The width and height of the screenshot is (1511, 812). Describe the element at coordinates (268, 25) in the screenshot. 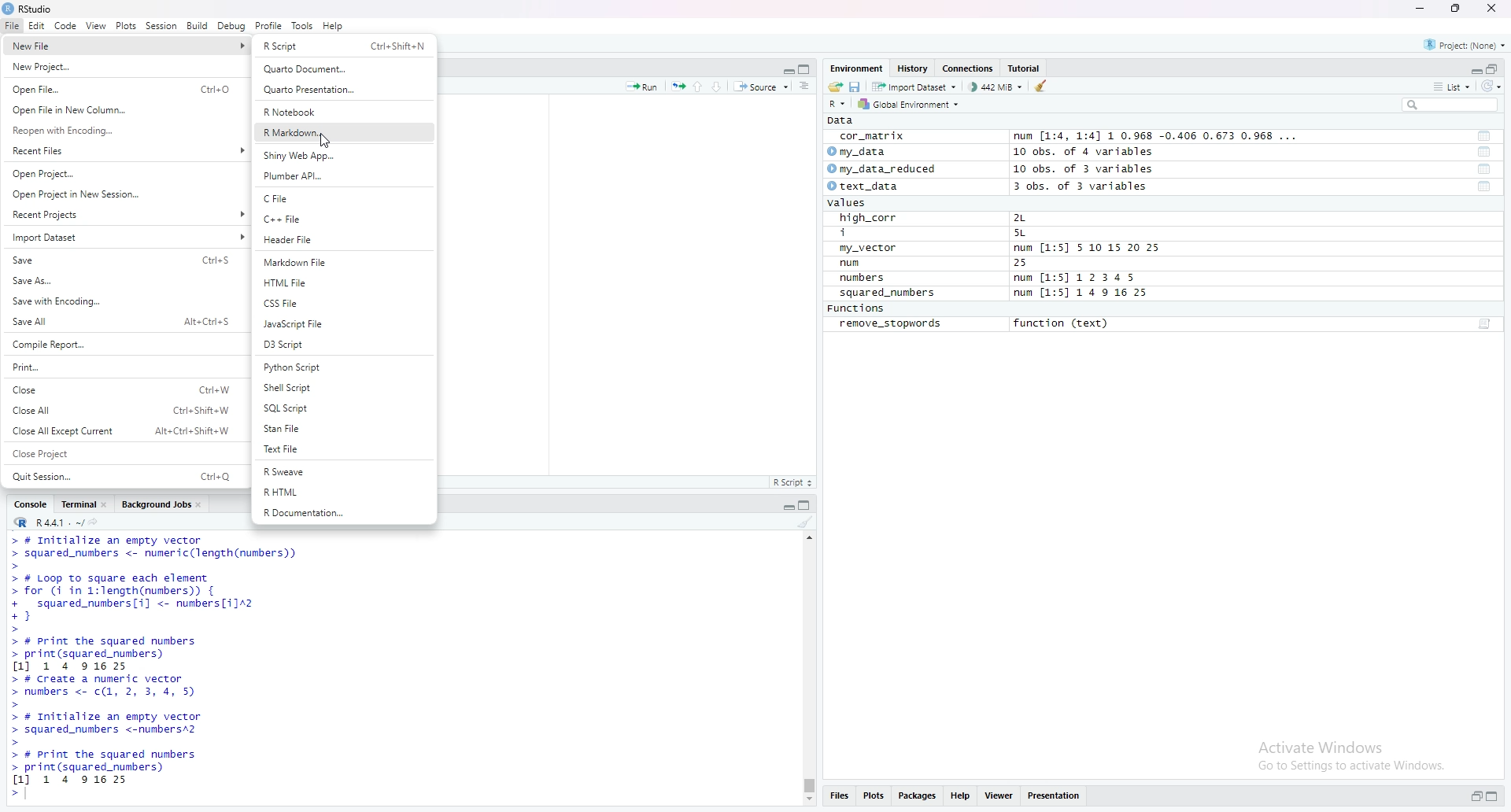

I see `Profile` at that location.